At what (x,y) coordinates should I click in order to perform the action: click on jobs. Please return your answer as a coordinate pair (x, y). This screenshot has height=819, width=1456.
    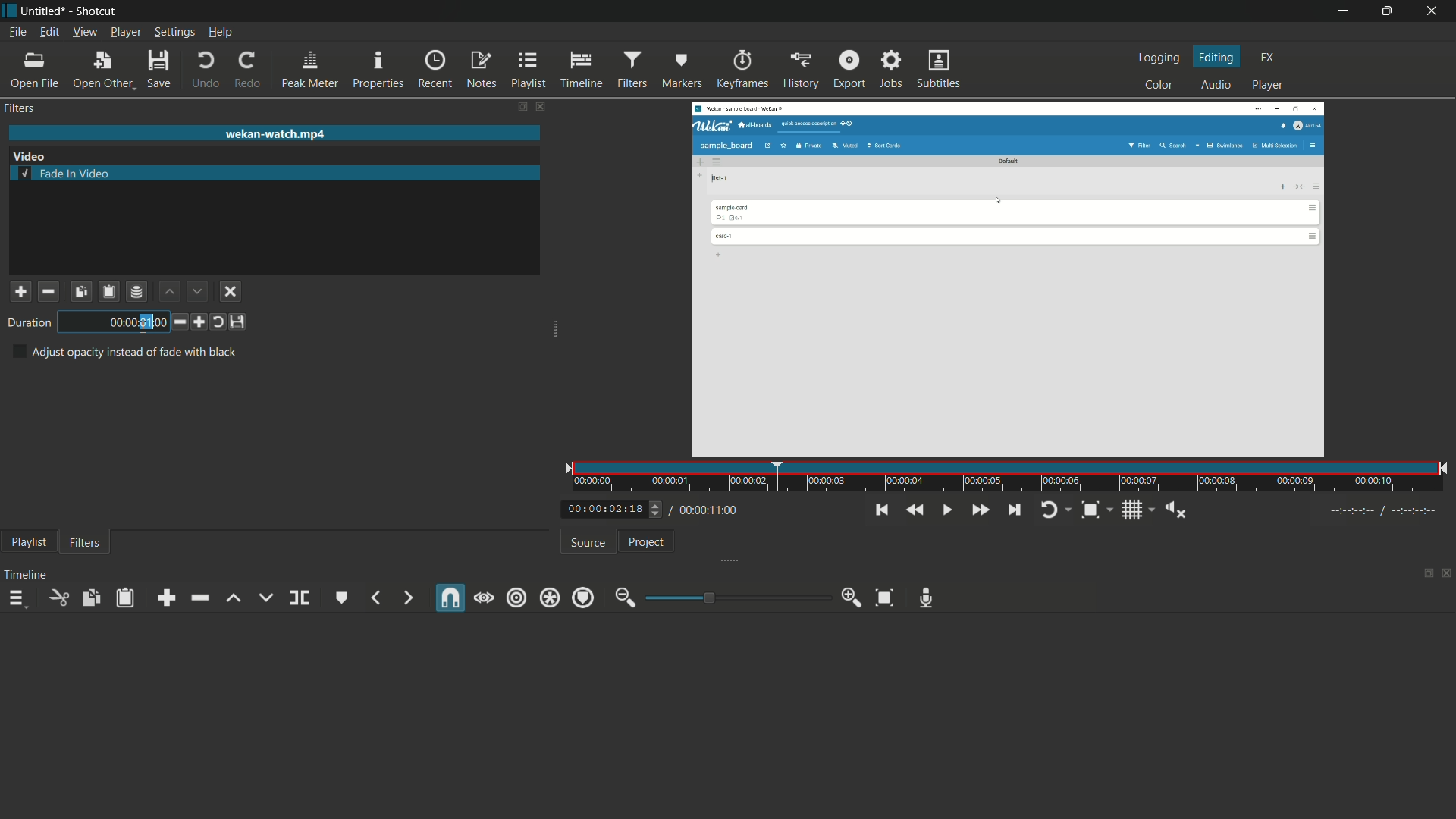
    Looking at the image, I should click on (890, 70).